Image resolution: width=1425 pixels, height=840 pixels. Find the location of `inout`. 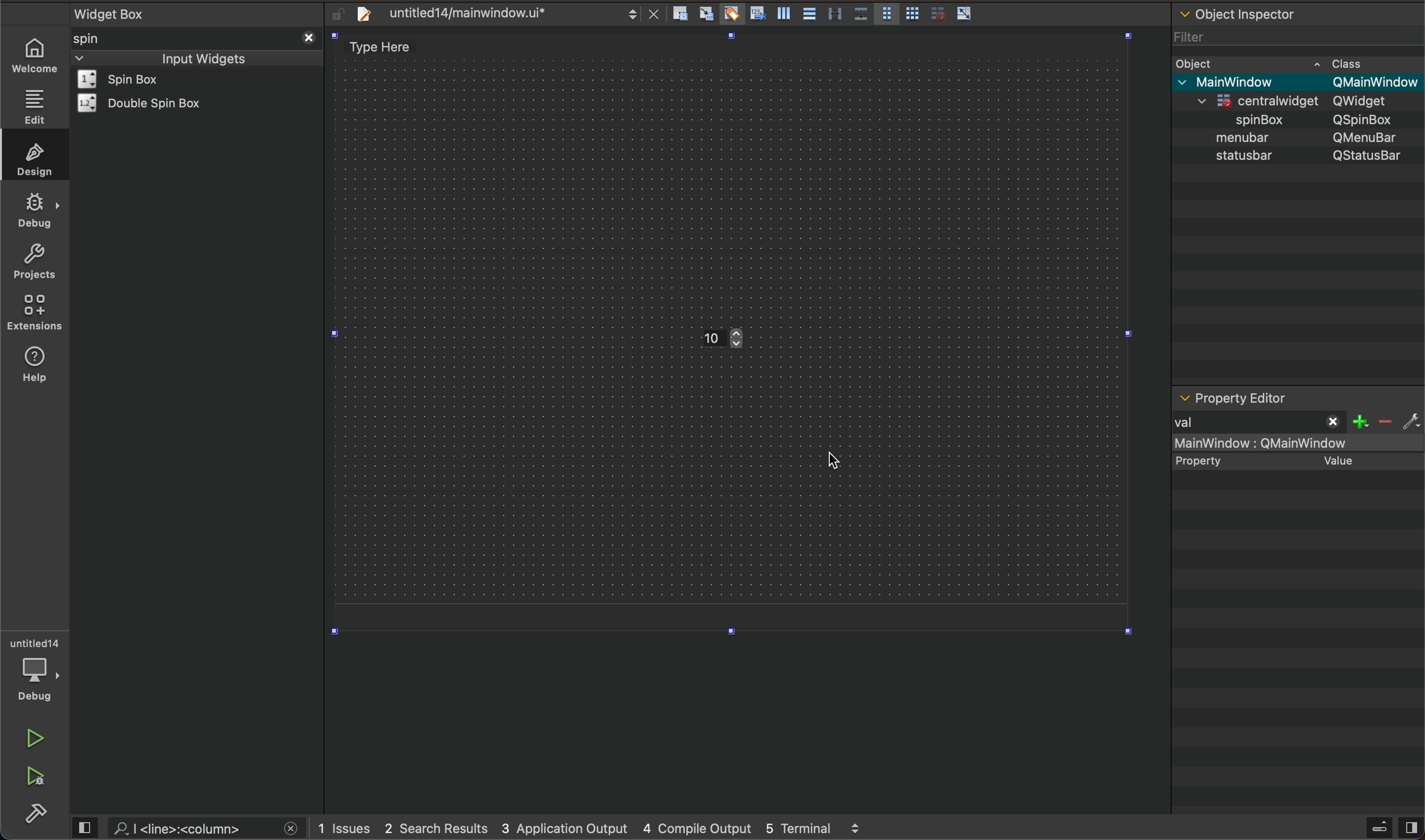

inout is located at coordinates (203, 57).